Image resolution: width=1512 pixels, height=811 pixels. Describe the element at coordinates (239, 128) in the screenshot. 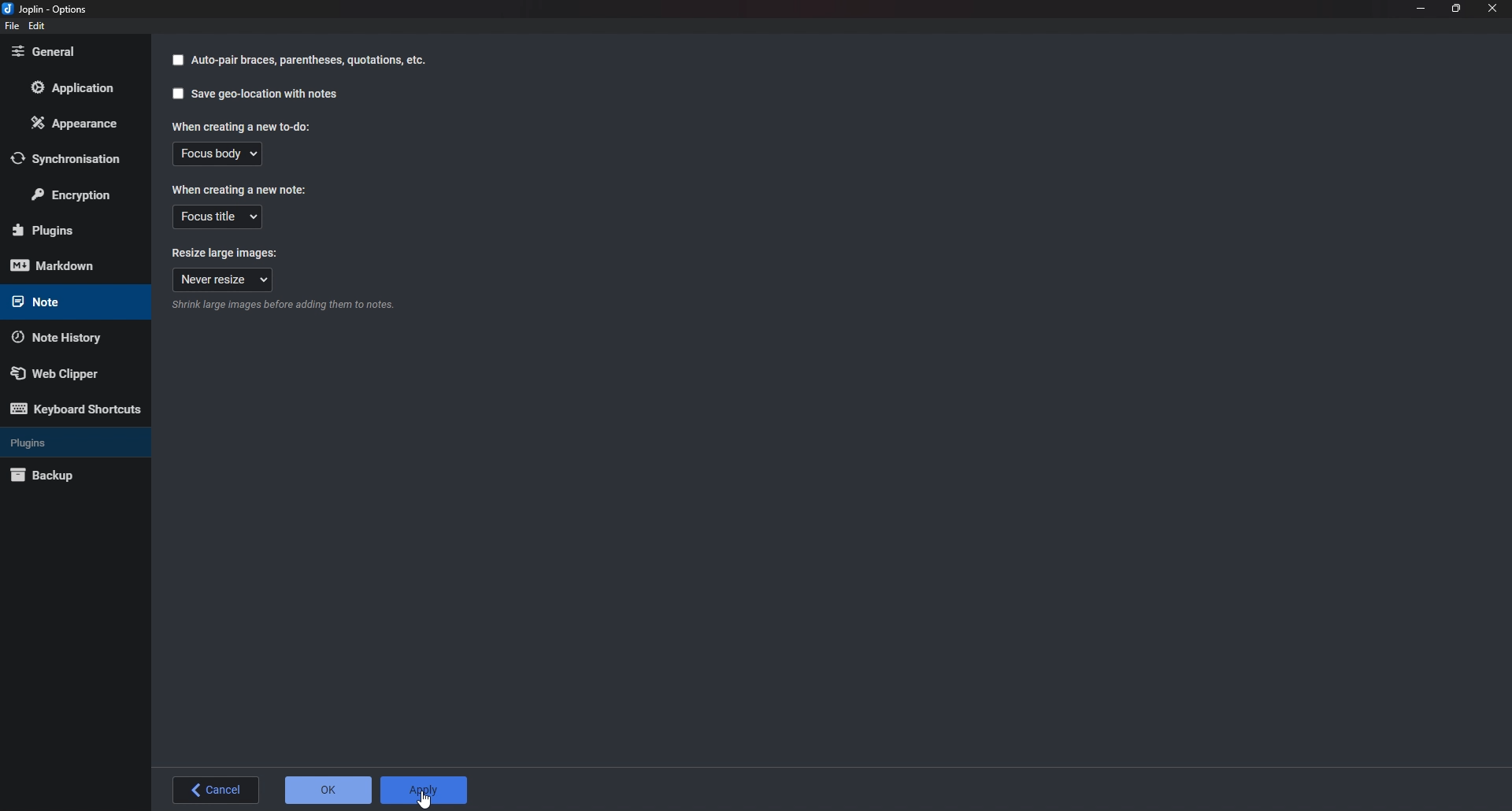

I see `When creating a new to do` at that location.